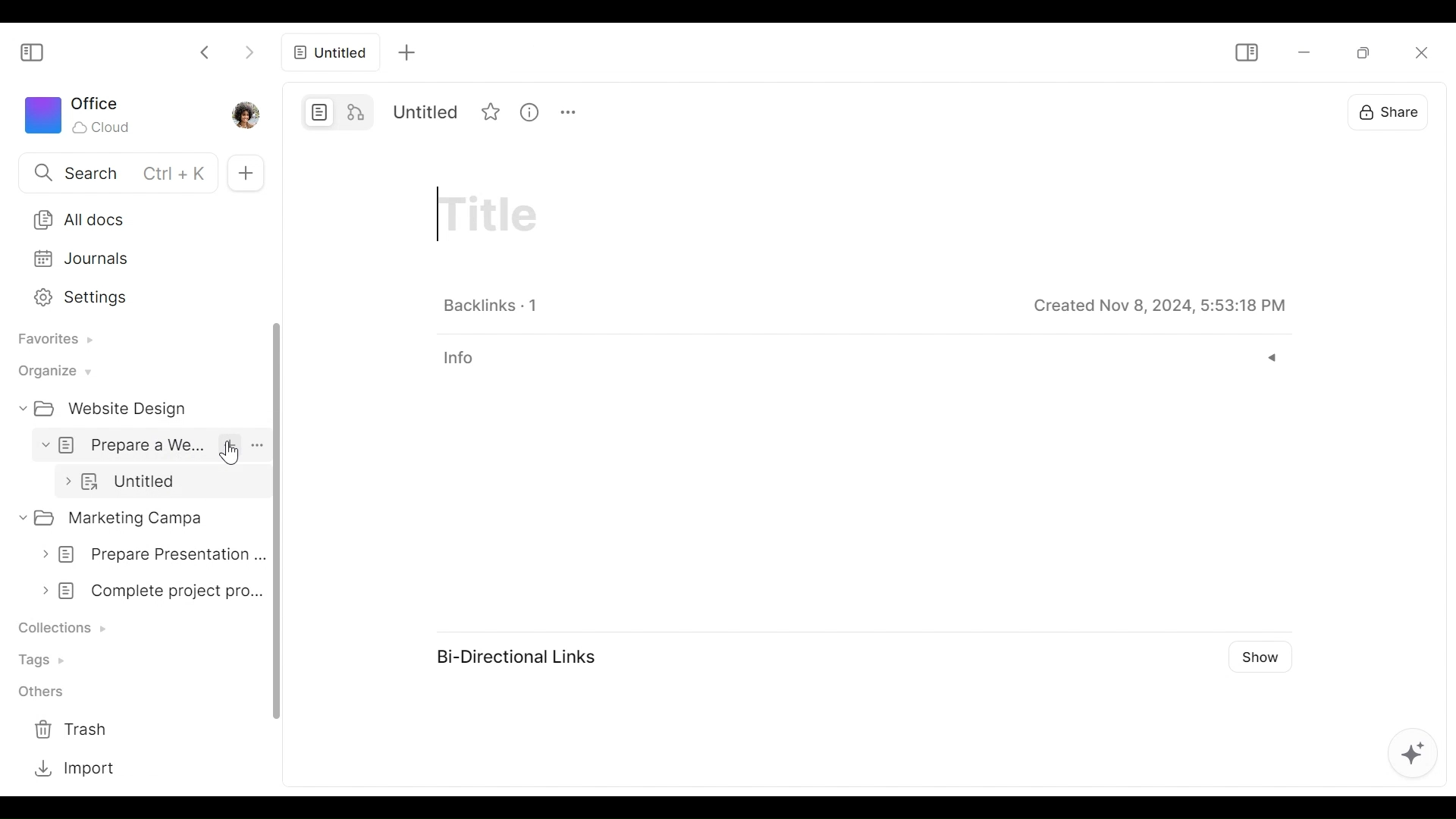  I want to click on AFFiNE AI, so click(1417, 757).